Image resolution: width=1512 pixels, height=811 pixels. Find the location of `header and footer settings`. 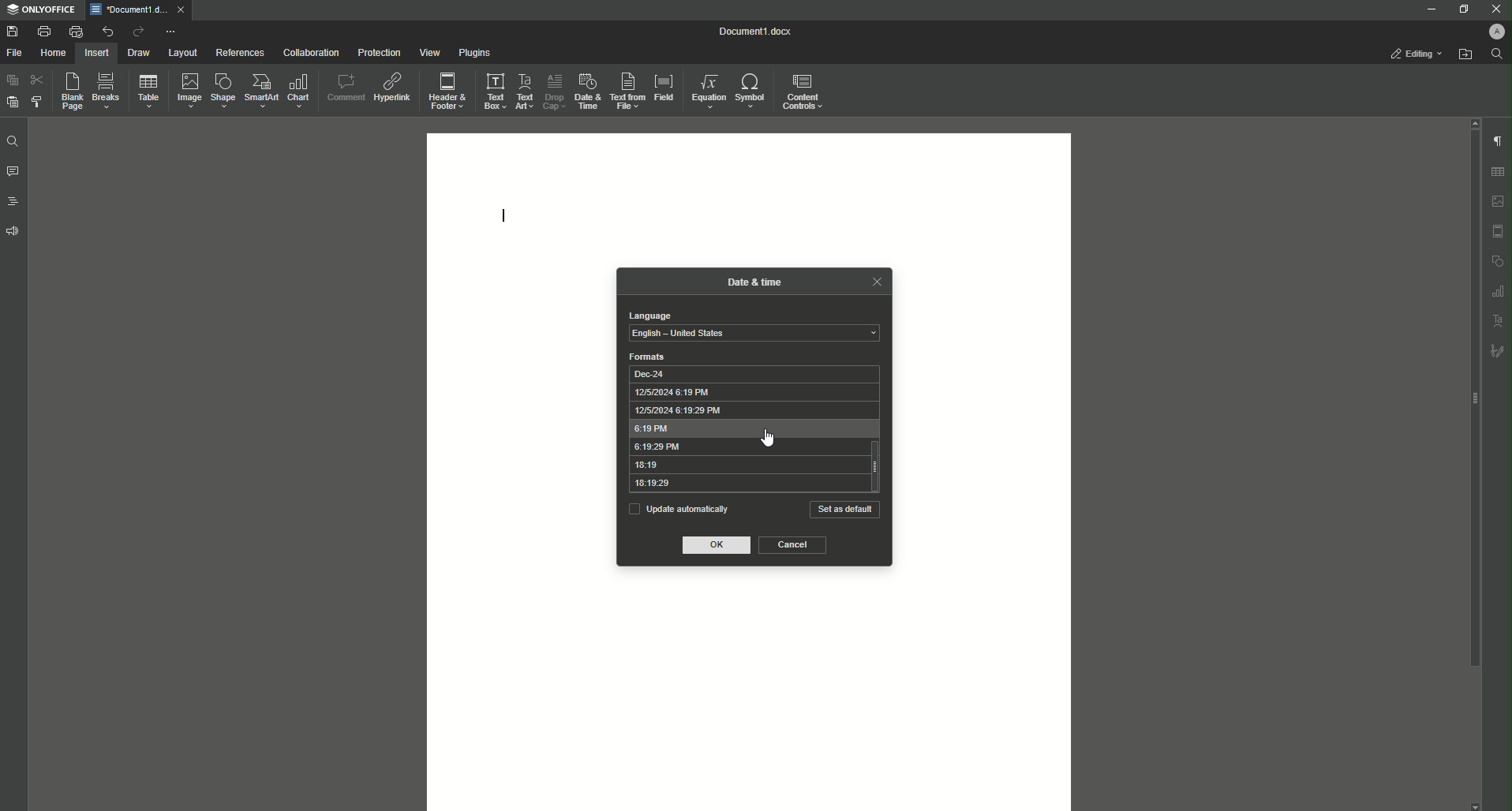

header and footer settings is located at coordinates (1498, 231).